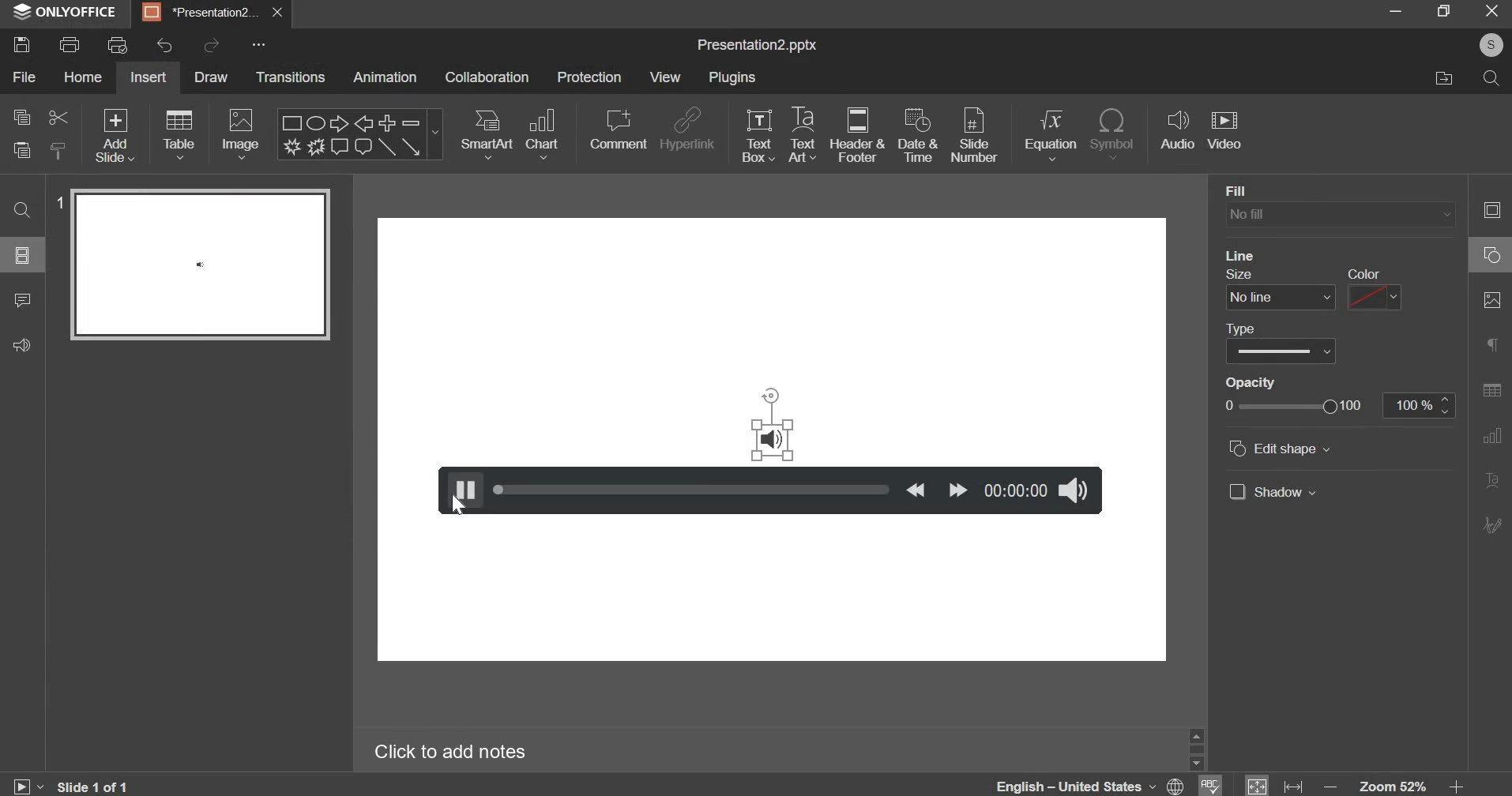 The height and width of the screenshot is (796, 1512). I want to click on exit, so click(1492, 11).